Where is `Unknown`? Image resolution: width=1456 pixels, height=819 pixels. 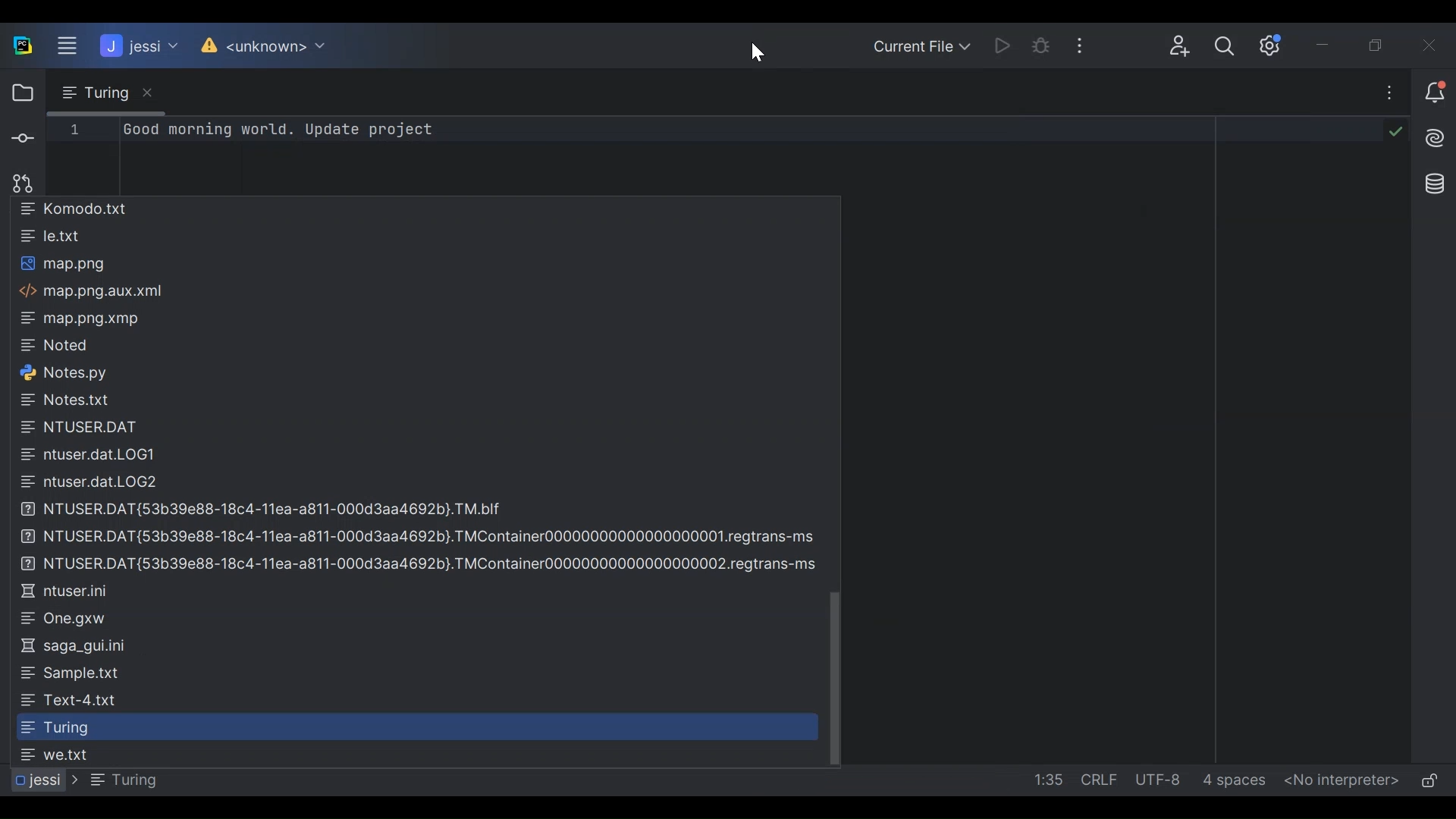
Unknown is located at coordinates (272, 47).